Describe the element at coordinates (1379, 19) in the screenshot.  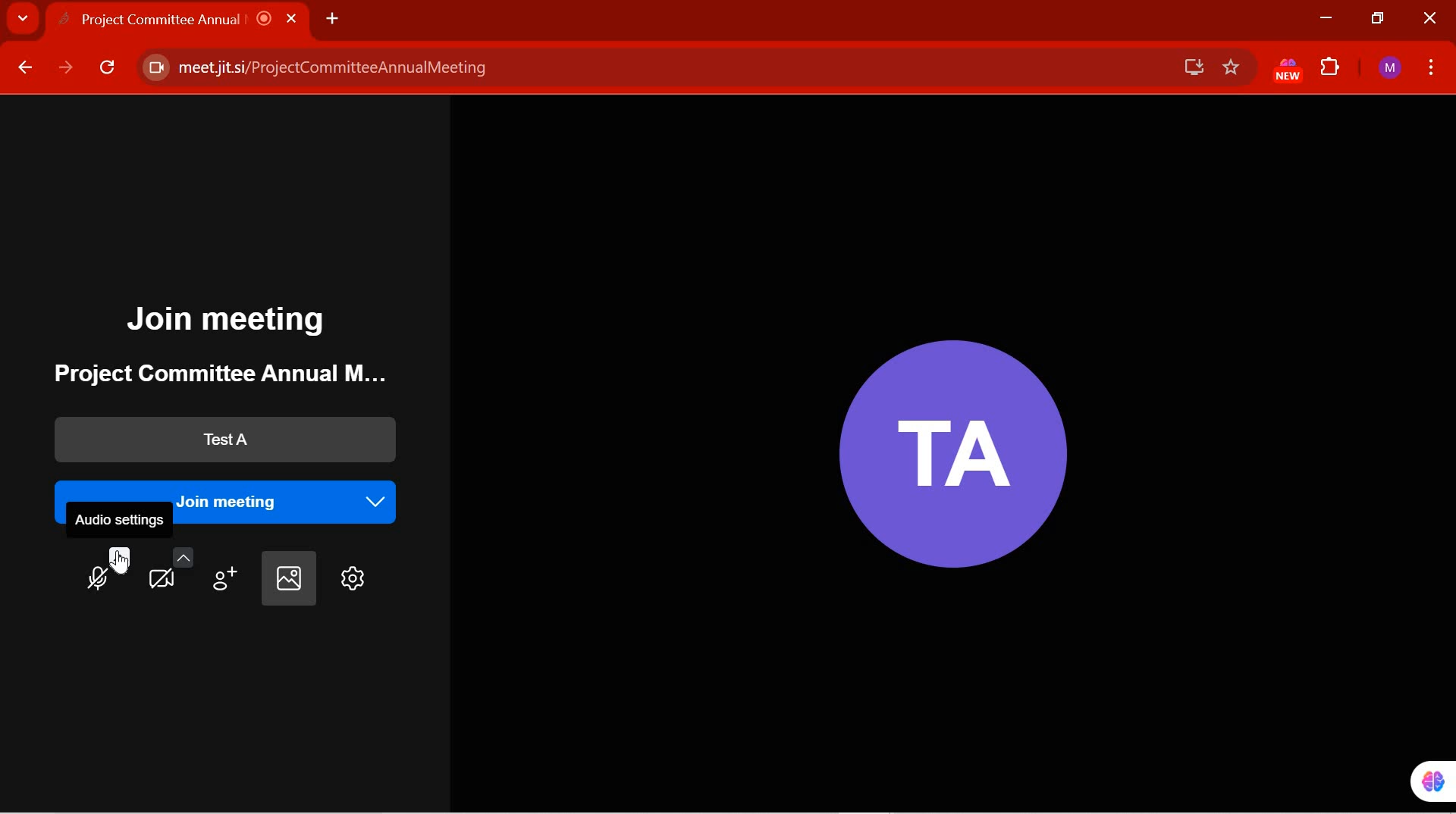
I see `RESTORE DOWN` at that location.